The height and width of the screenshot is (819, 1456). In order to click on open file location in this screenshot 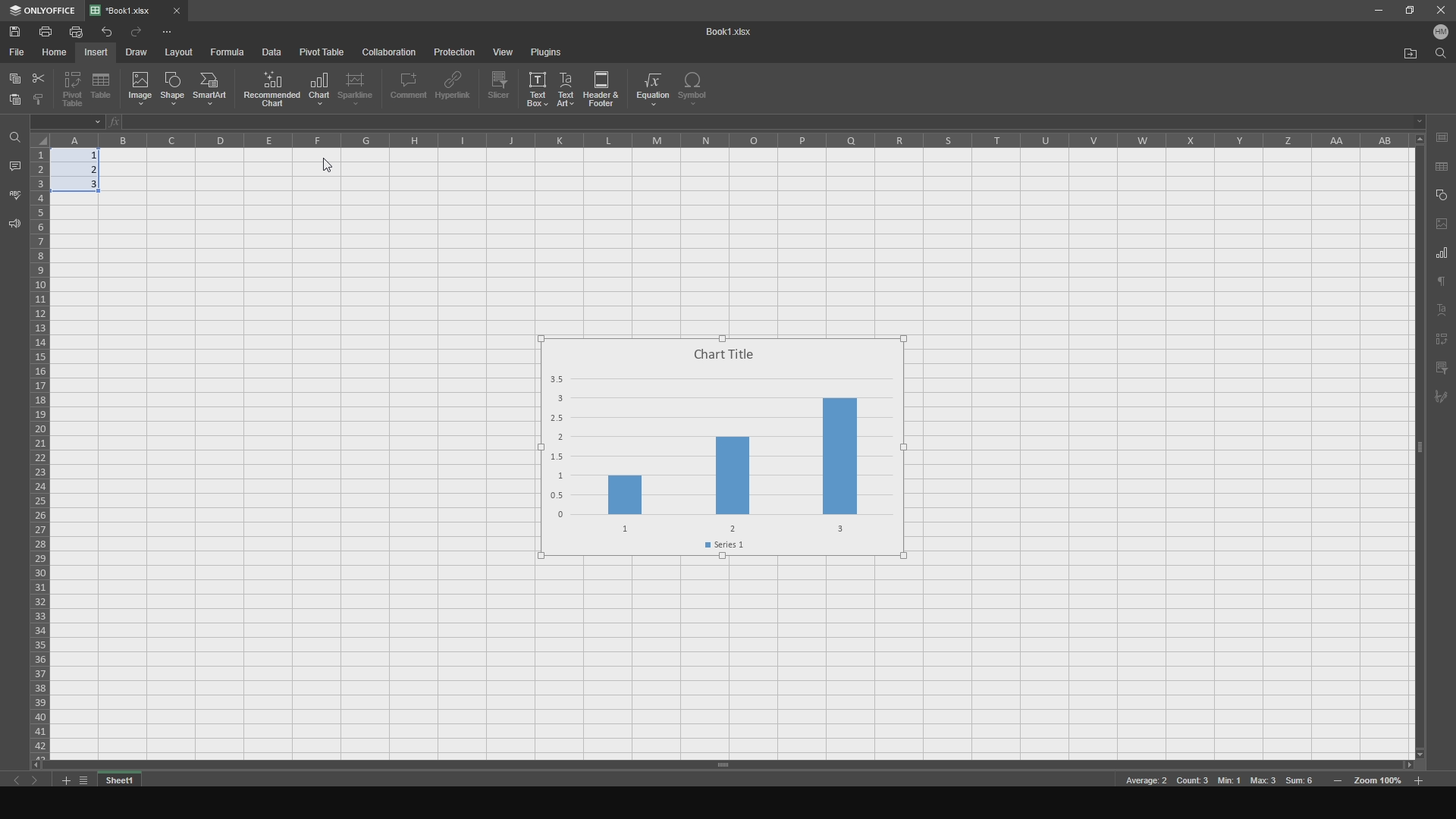, I will do `click(1403, 52)`.